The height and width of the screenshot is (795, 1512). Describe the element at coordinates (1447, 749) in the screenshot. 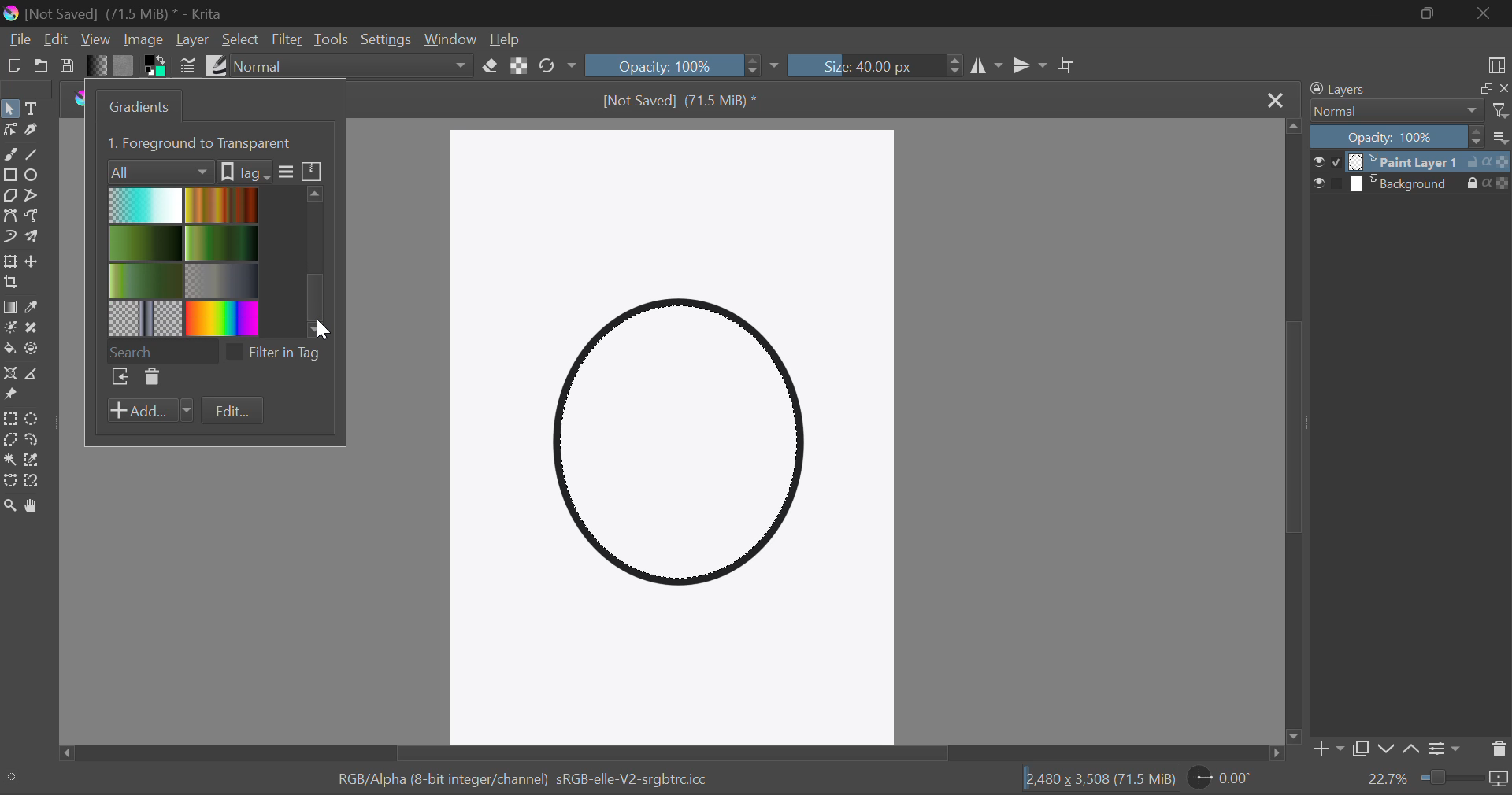

I see `Settings` at that location.